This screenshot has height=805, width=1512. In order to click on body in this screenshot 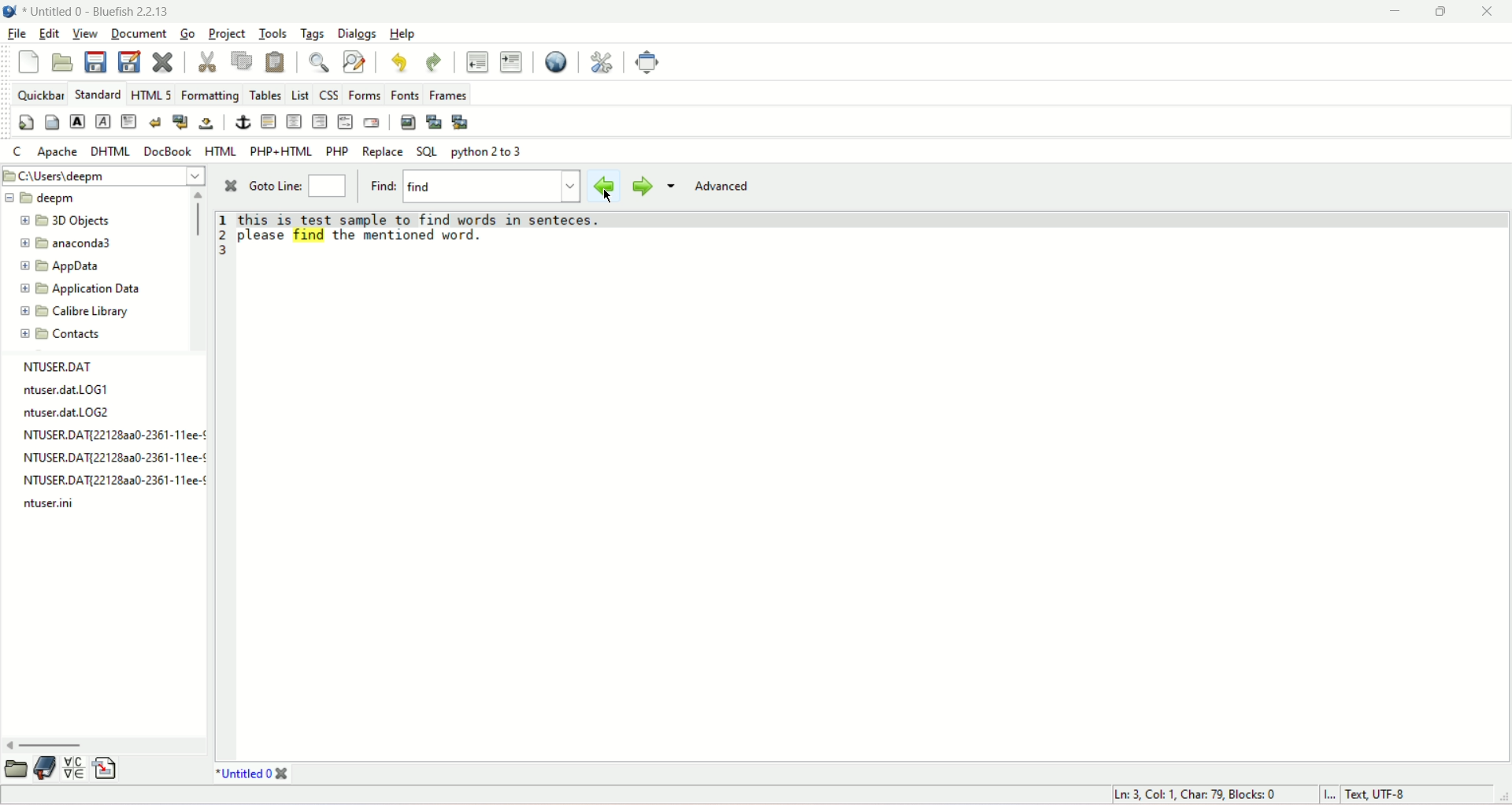, I will do `click(51, 122)`.